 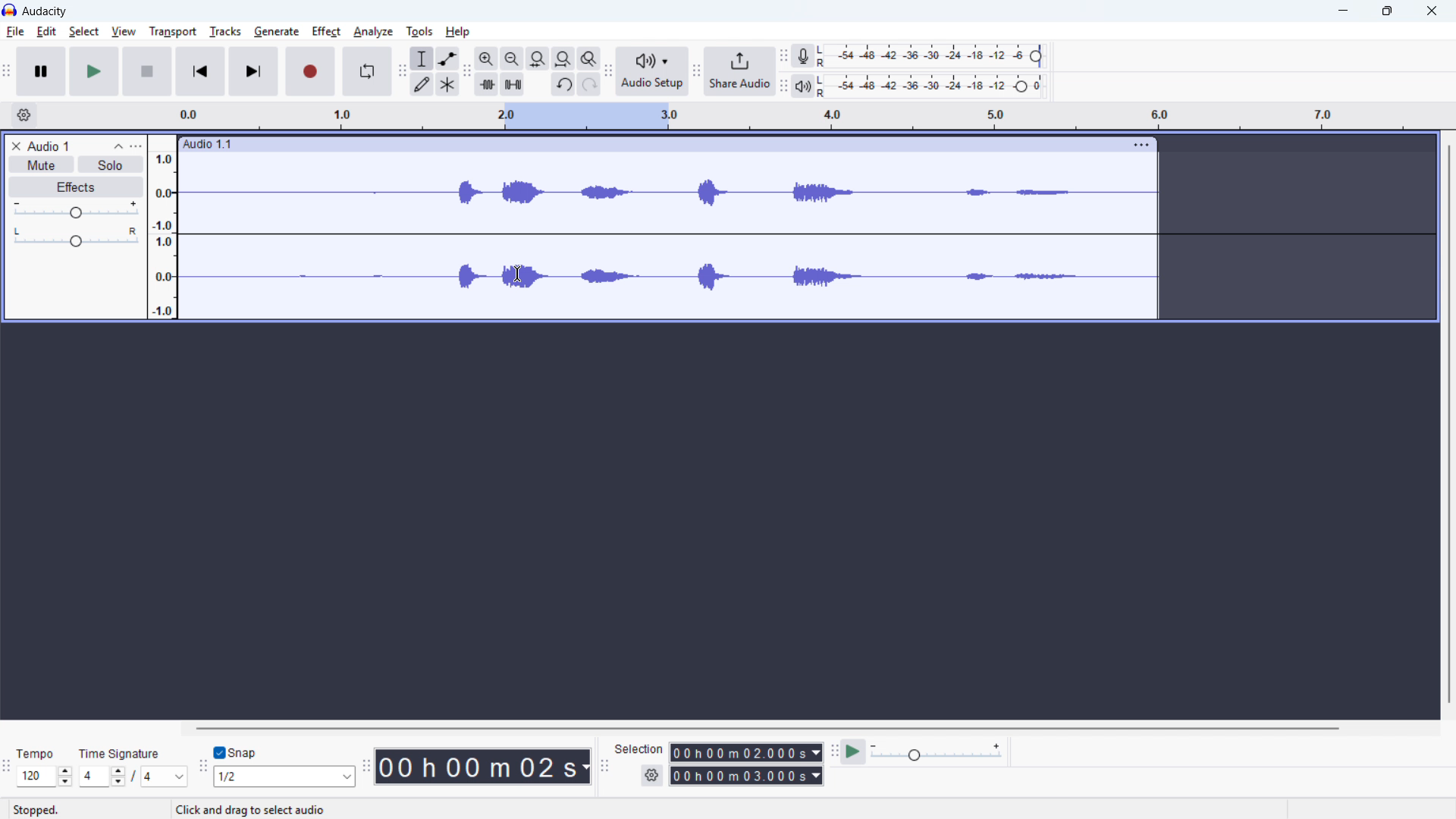 What do you see at coordinates (39, 809) in the screenshot?
I see `Stopped` at bounding box center [39, 809].